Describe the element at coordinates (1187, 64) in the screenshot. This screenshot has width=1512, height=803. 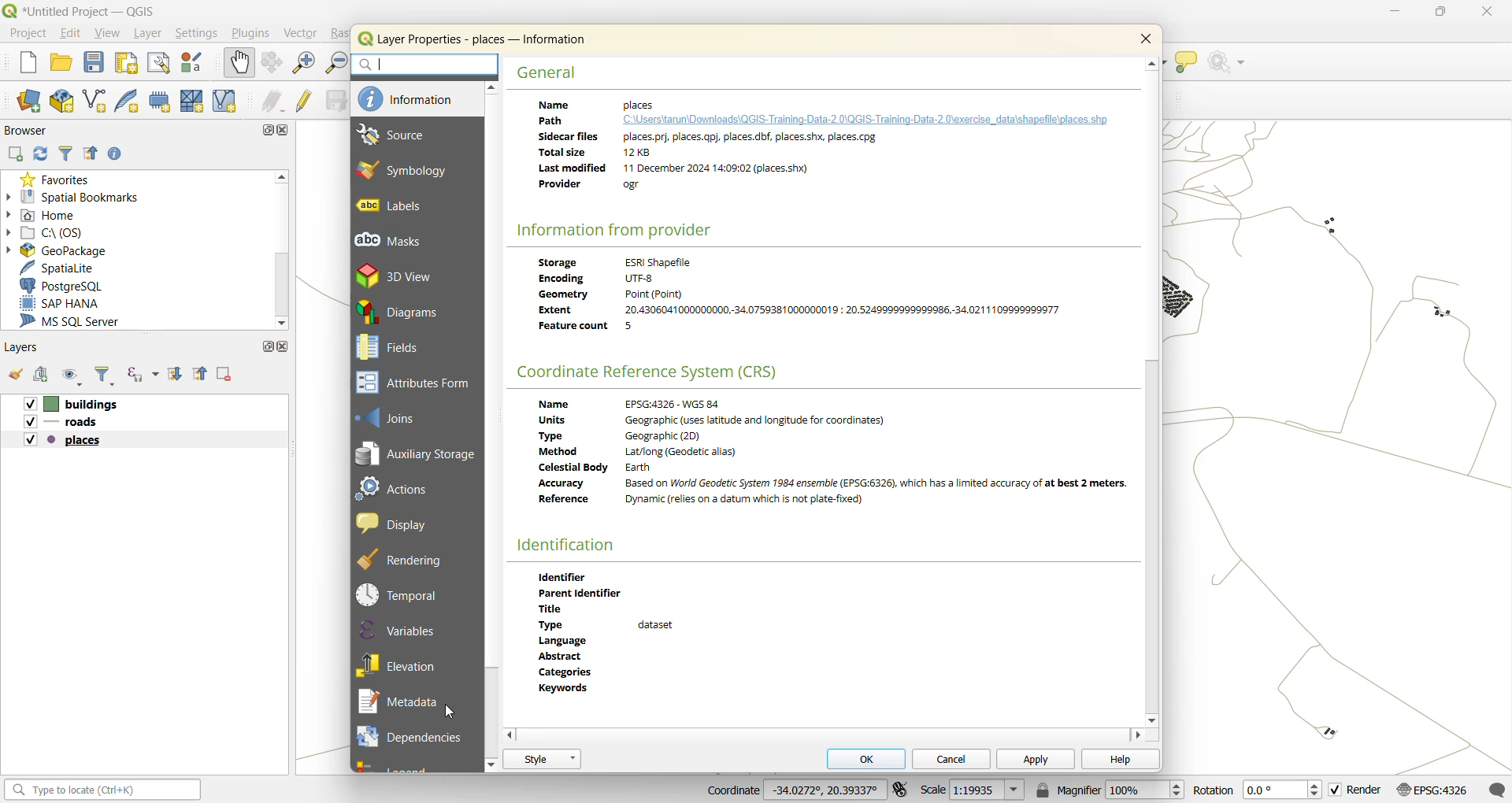
I see `show tips` at that location.